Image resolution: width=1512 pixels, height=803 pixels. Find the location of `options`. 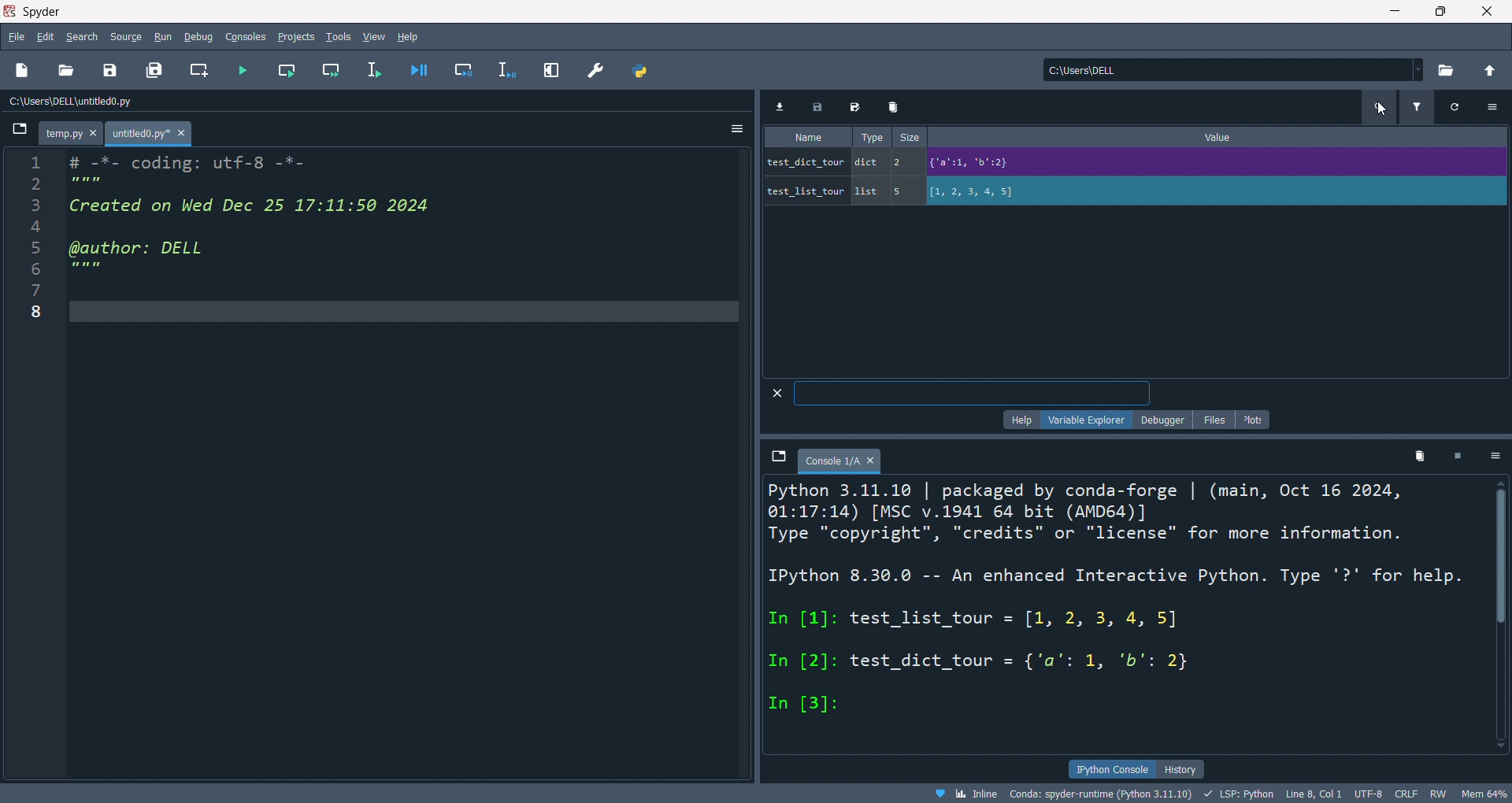

options is located at coordinates (1498, 456).